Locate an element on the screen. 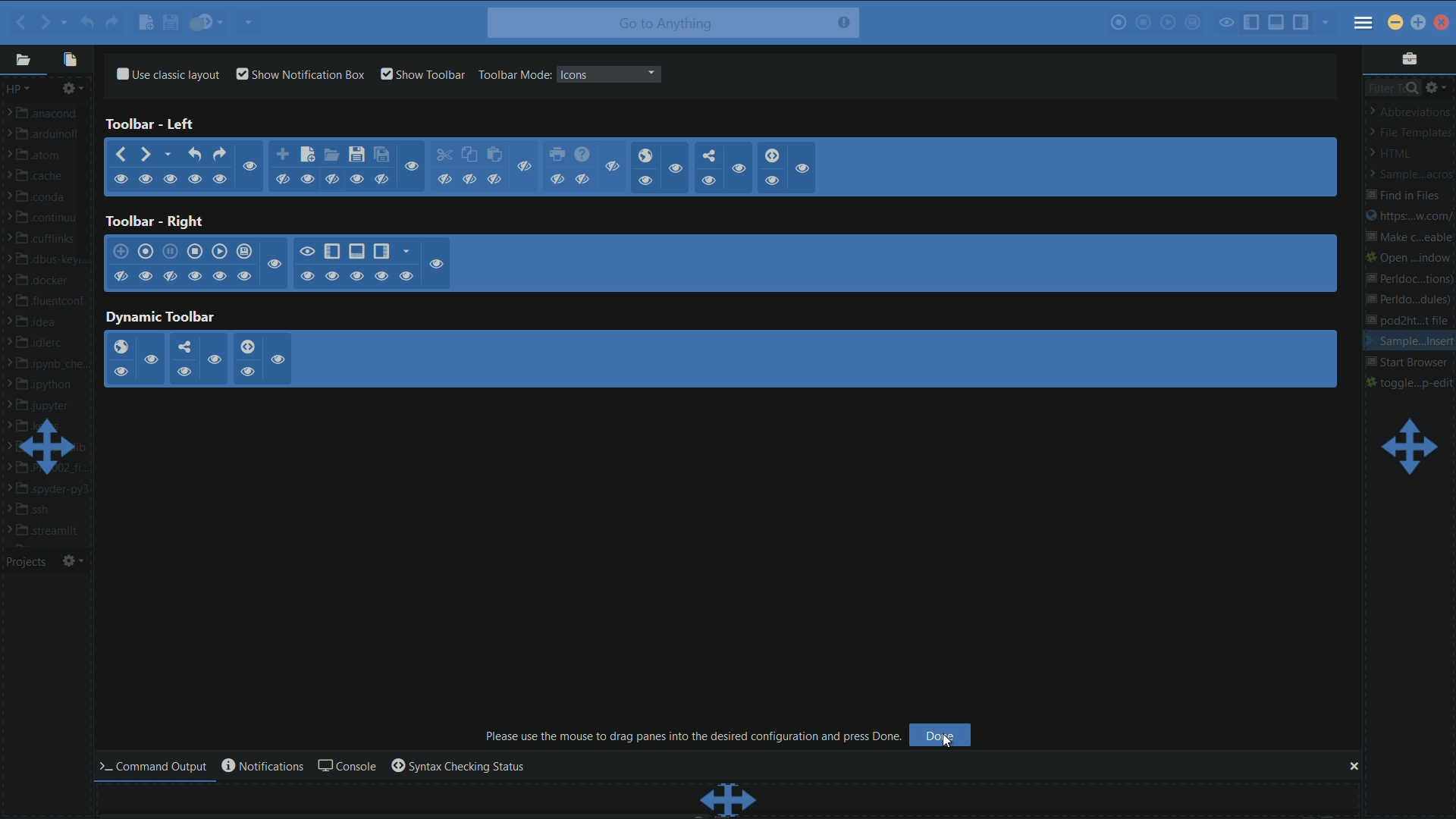 The height and width of the screenshot is (819, 1456). forward is located at coordinates (44, 20).